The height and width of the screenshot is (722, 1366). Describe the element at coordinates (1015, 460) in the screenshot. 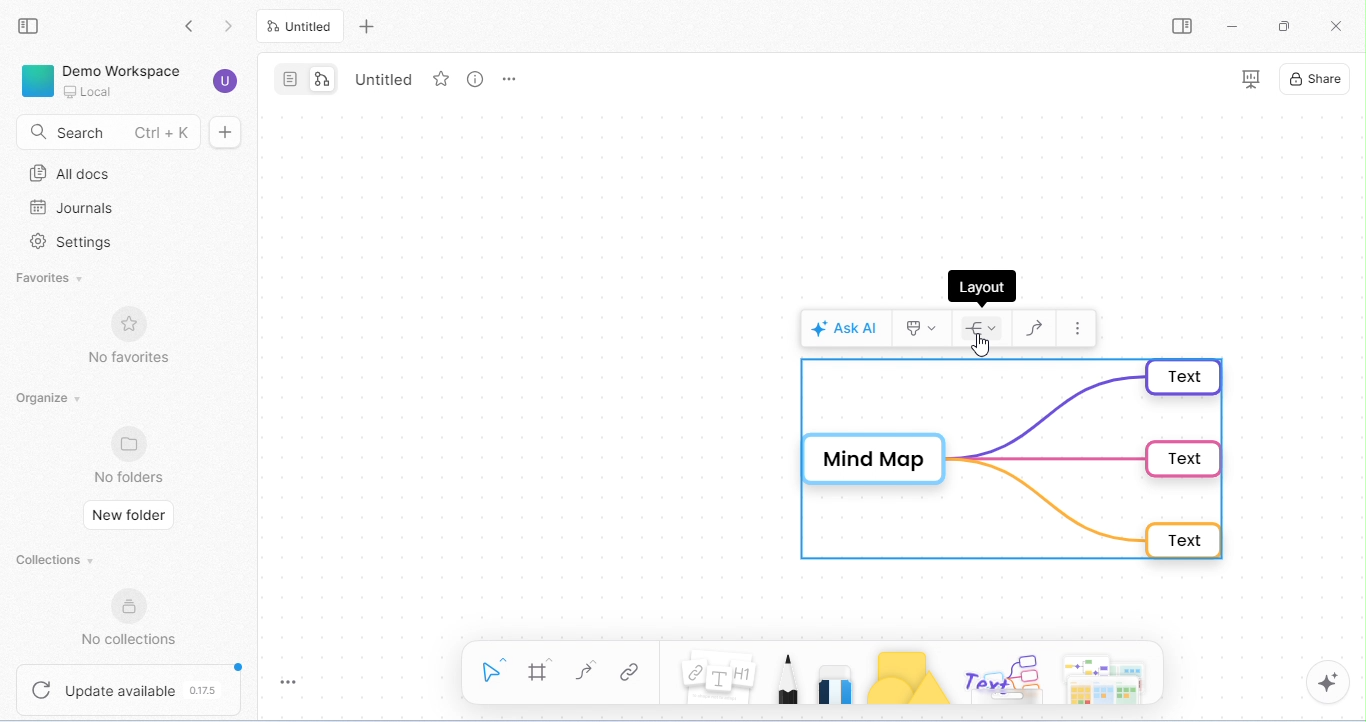

I see `Mind Map with texts in right layout` at that location.